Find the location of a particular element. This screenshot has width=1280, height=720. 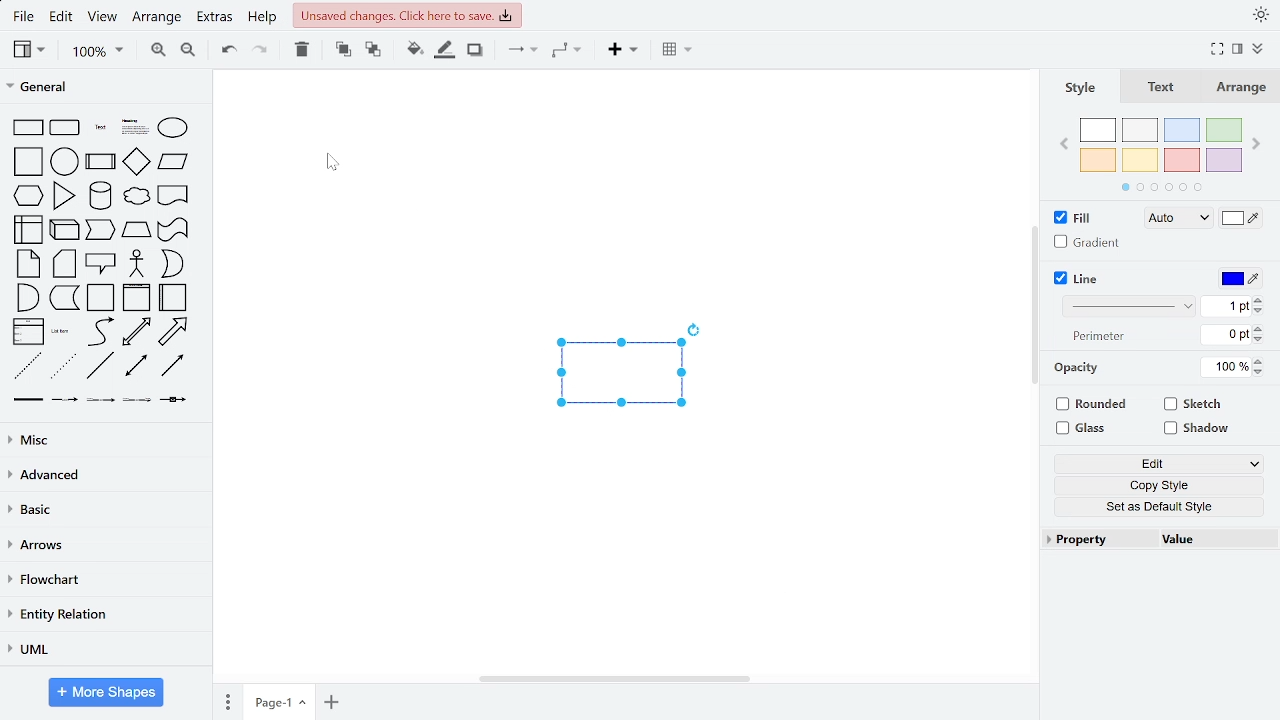

glass is located at coordinates (1083, 428).